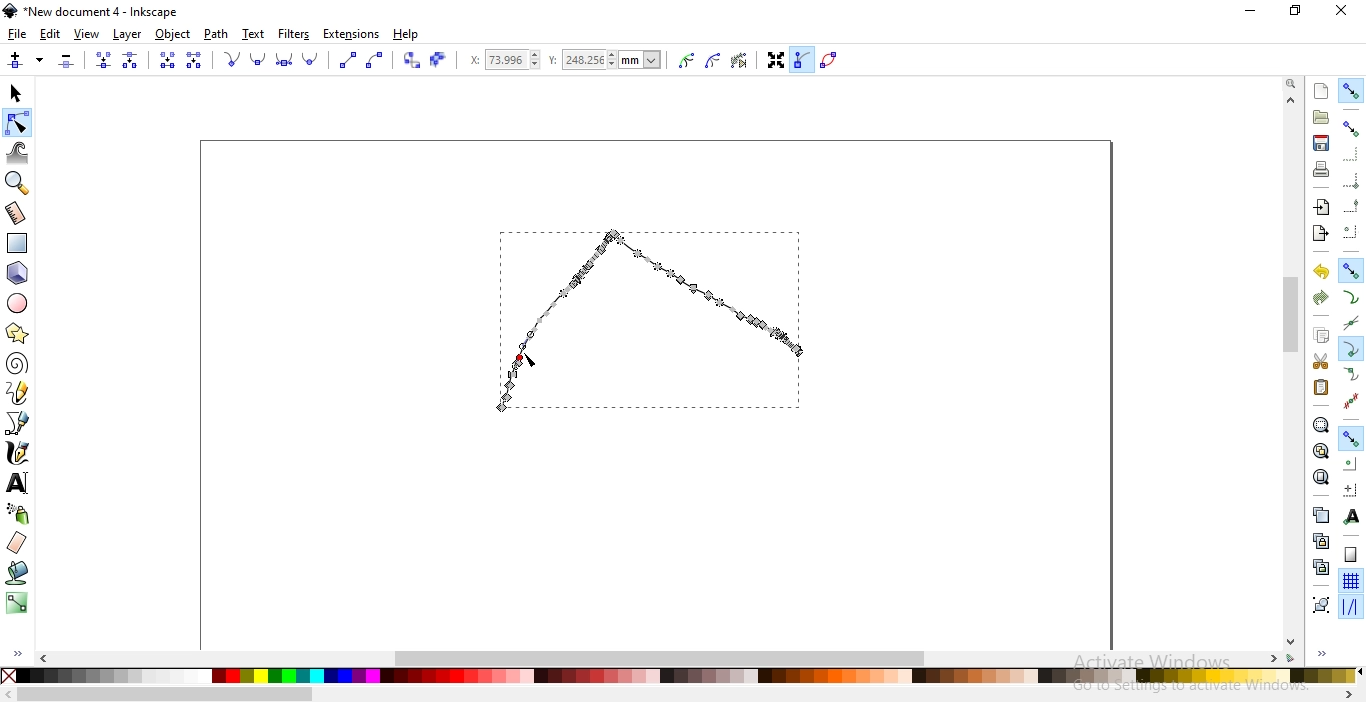 This screenshot has width=1366, height=702. Describe the element at coordinates (775, 63) in the screenshot. I see `show transformational handles for selected nodes` at that location.